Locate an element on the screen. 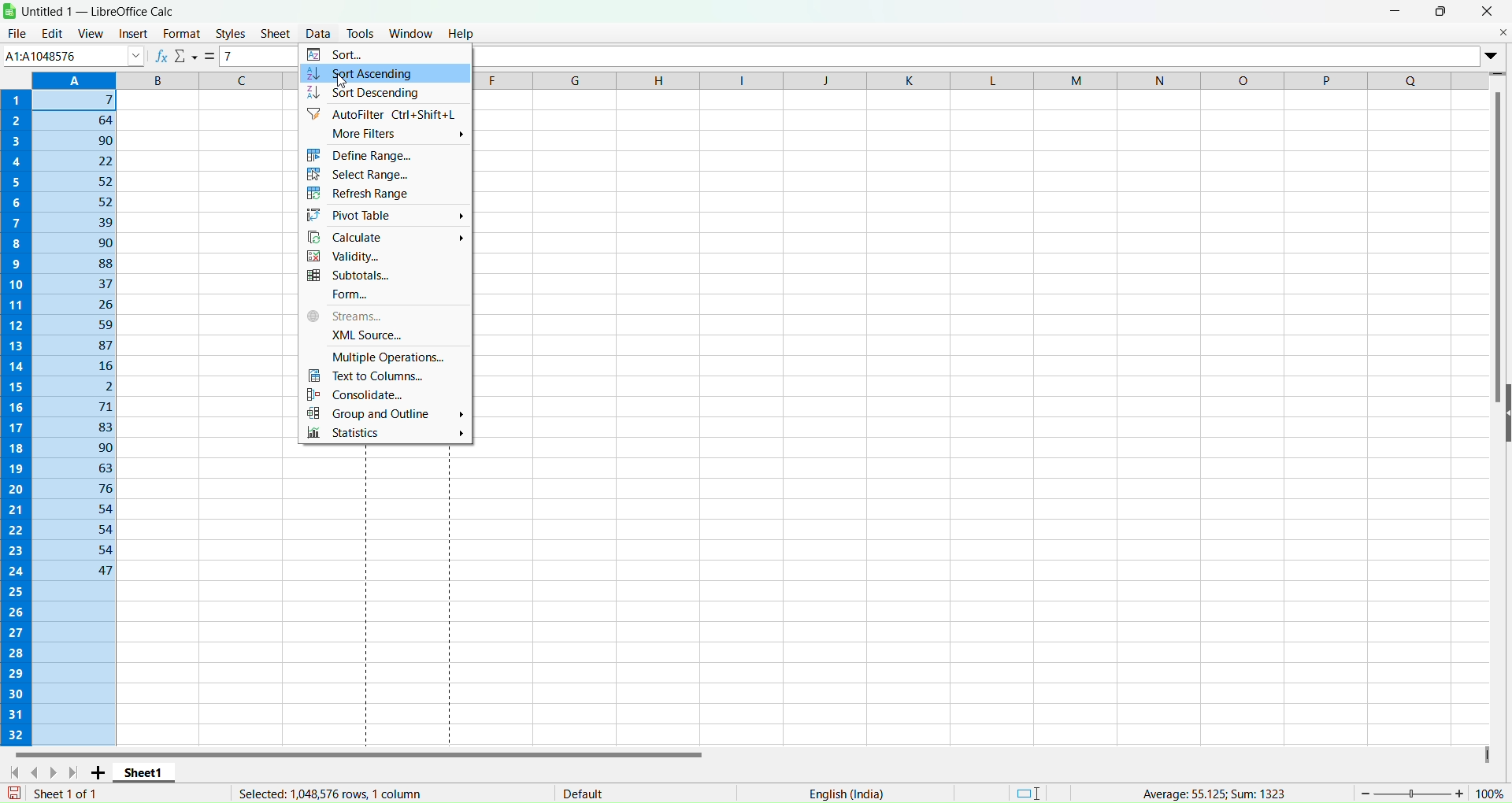  Styles is located at coordinates (231, 34).